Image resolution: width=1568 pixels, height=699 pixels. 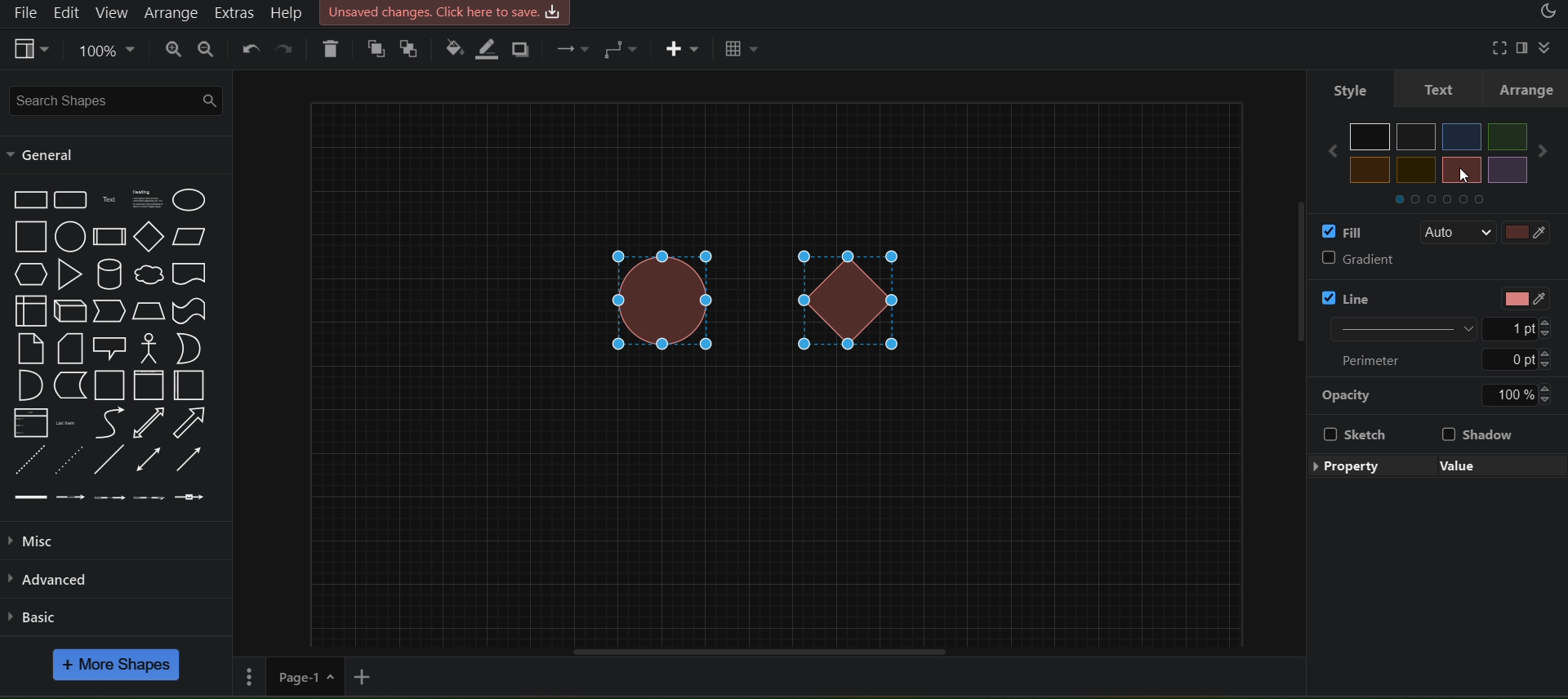 I want to click on help, so click(x=286, y=12).